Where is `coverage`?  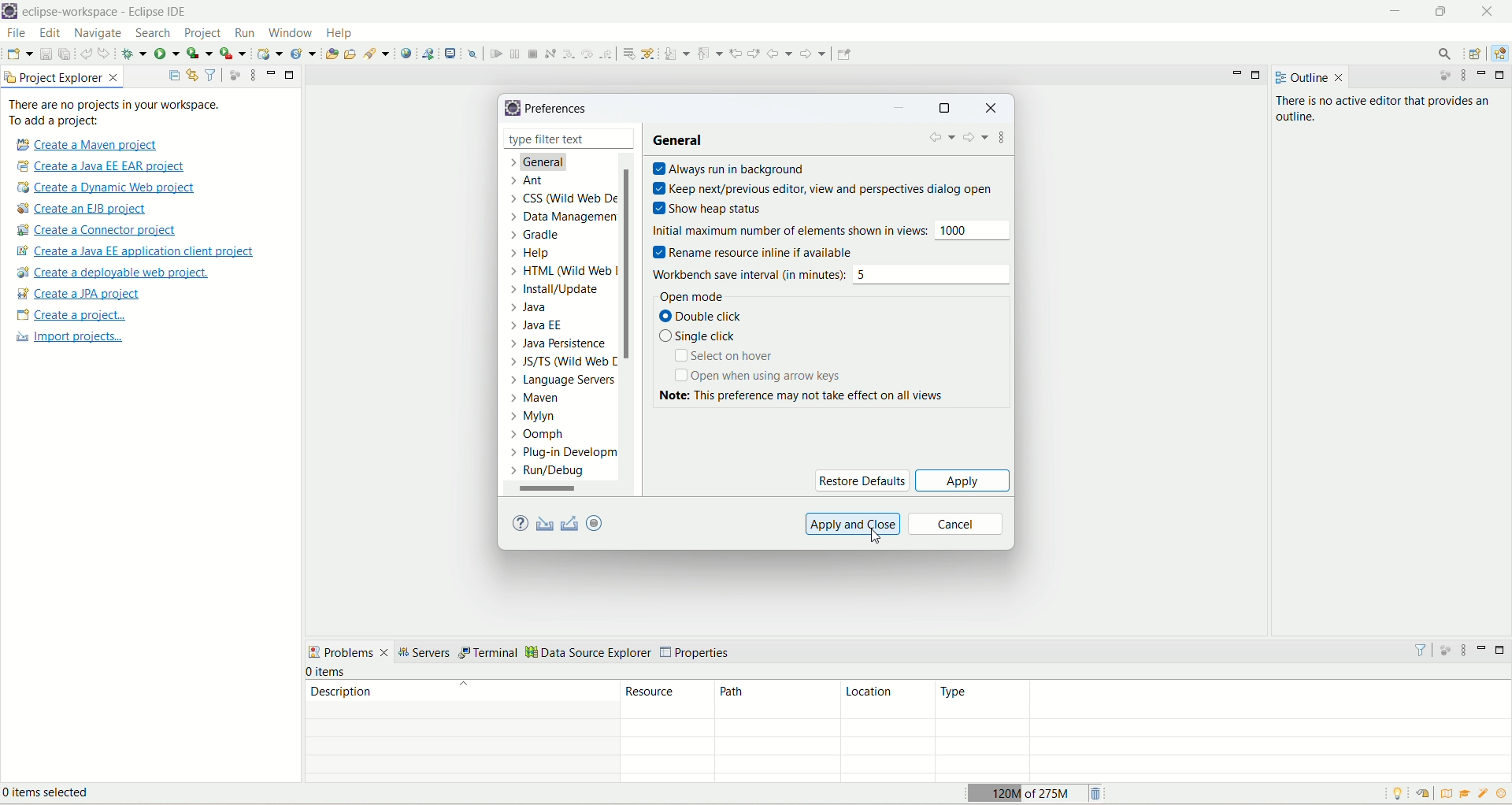 coverage is located at coordinates (199, 52).